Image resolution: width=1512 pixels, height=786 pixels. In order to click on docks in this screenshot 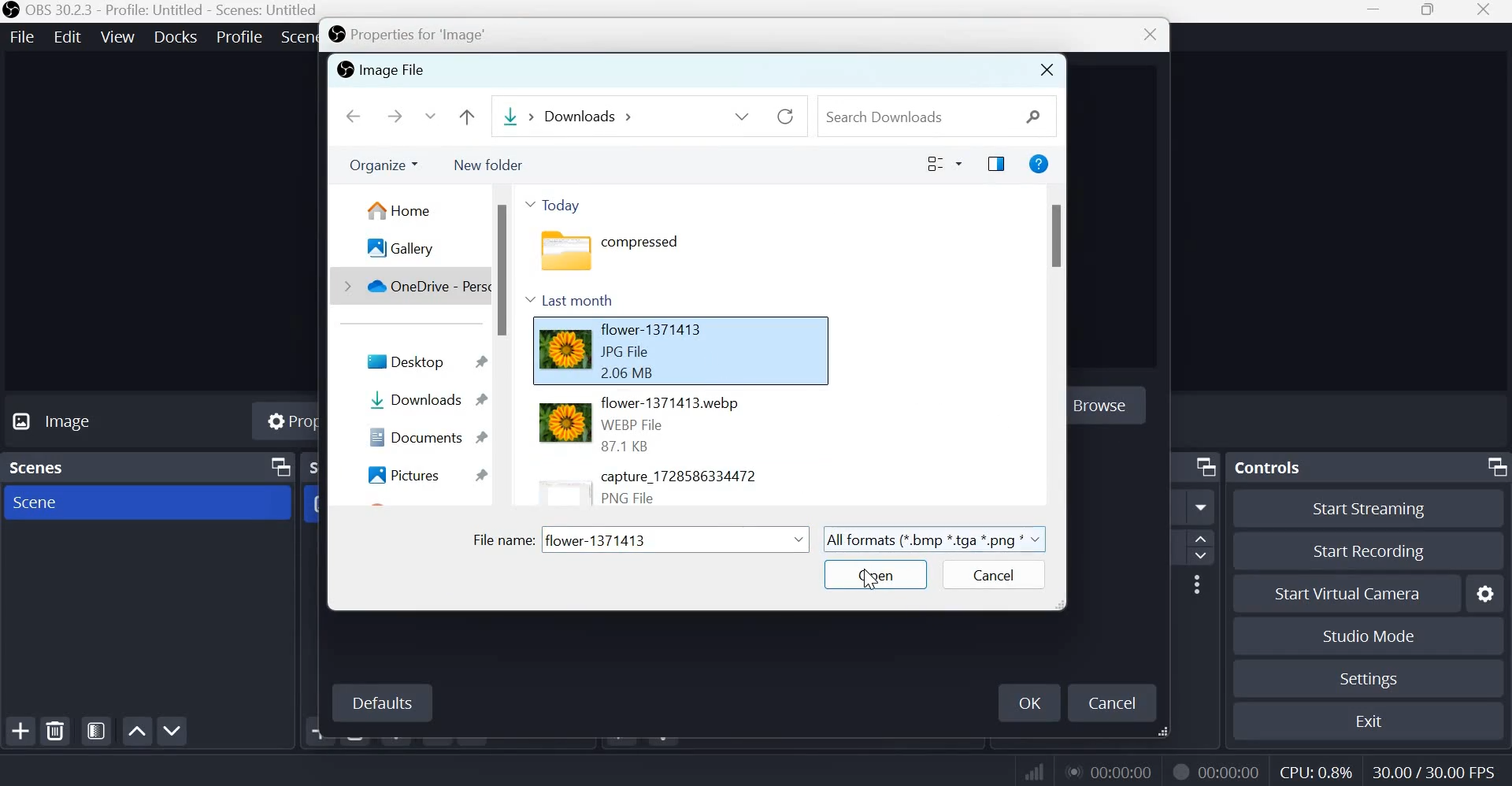, I will do `click(178, 35)`.